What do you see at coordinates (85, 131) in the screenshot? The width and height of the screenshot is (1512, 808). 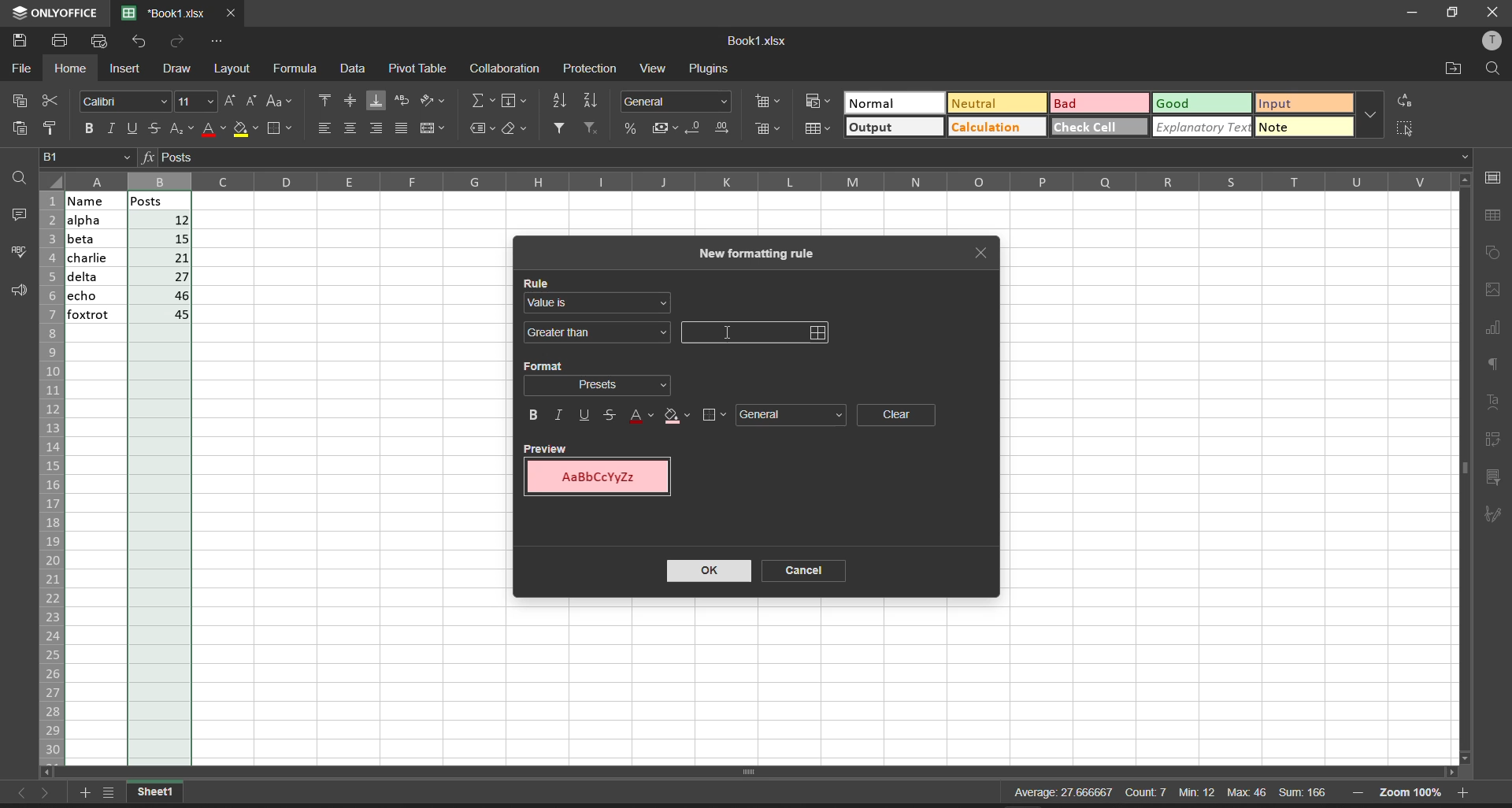 I see `bold` at bounding box center [85, 131].